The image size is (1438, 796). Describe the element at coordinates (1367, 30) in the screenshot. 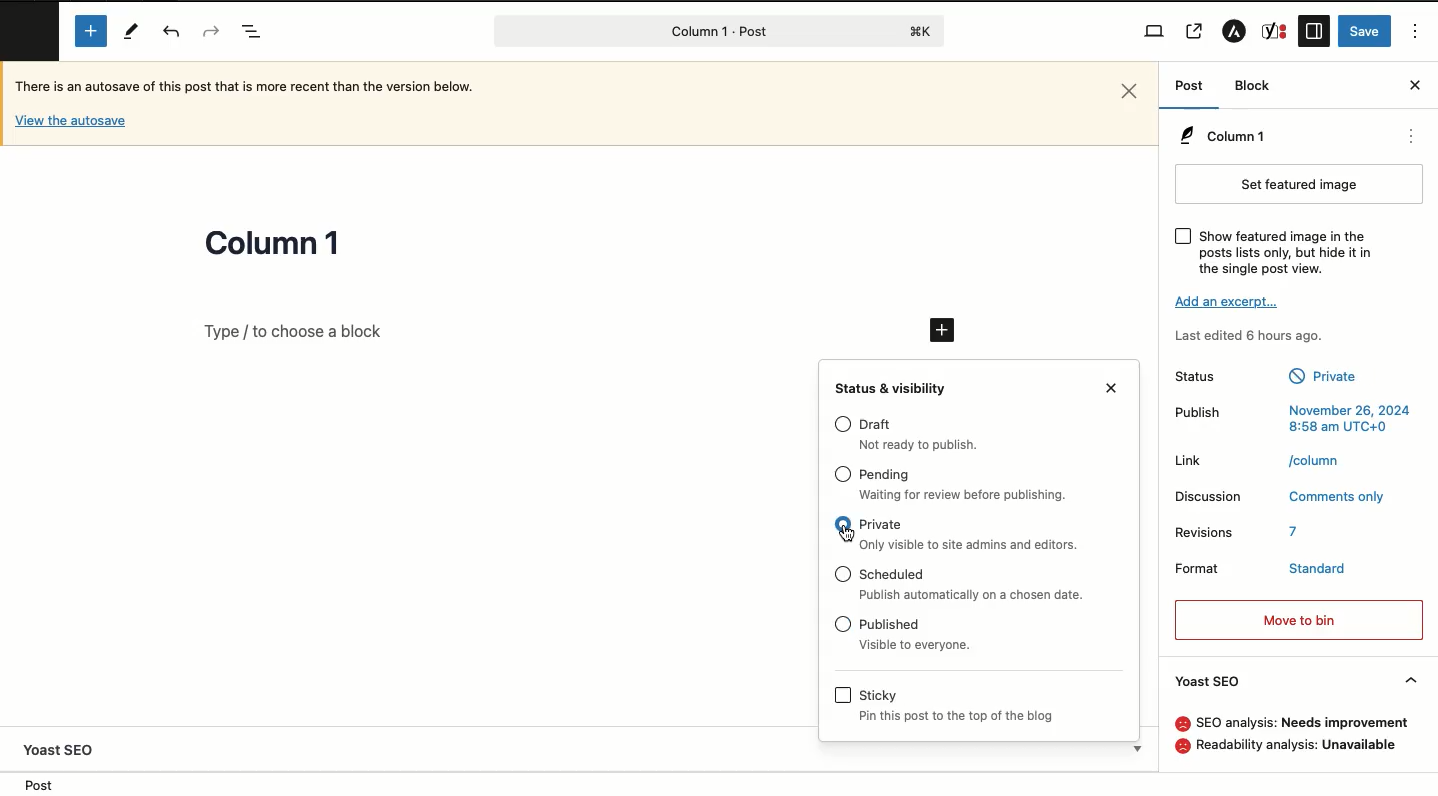

I see `Save` at that location.